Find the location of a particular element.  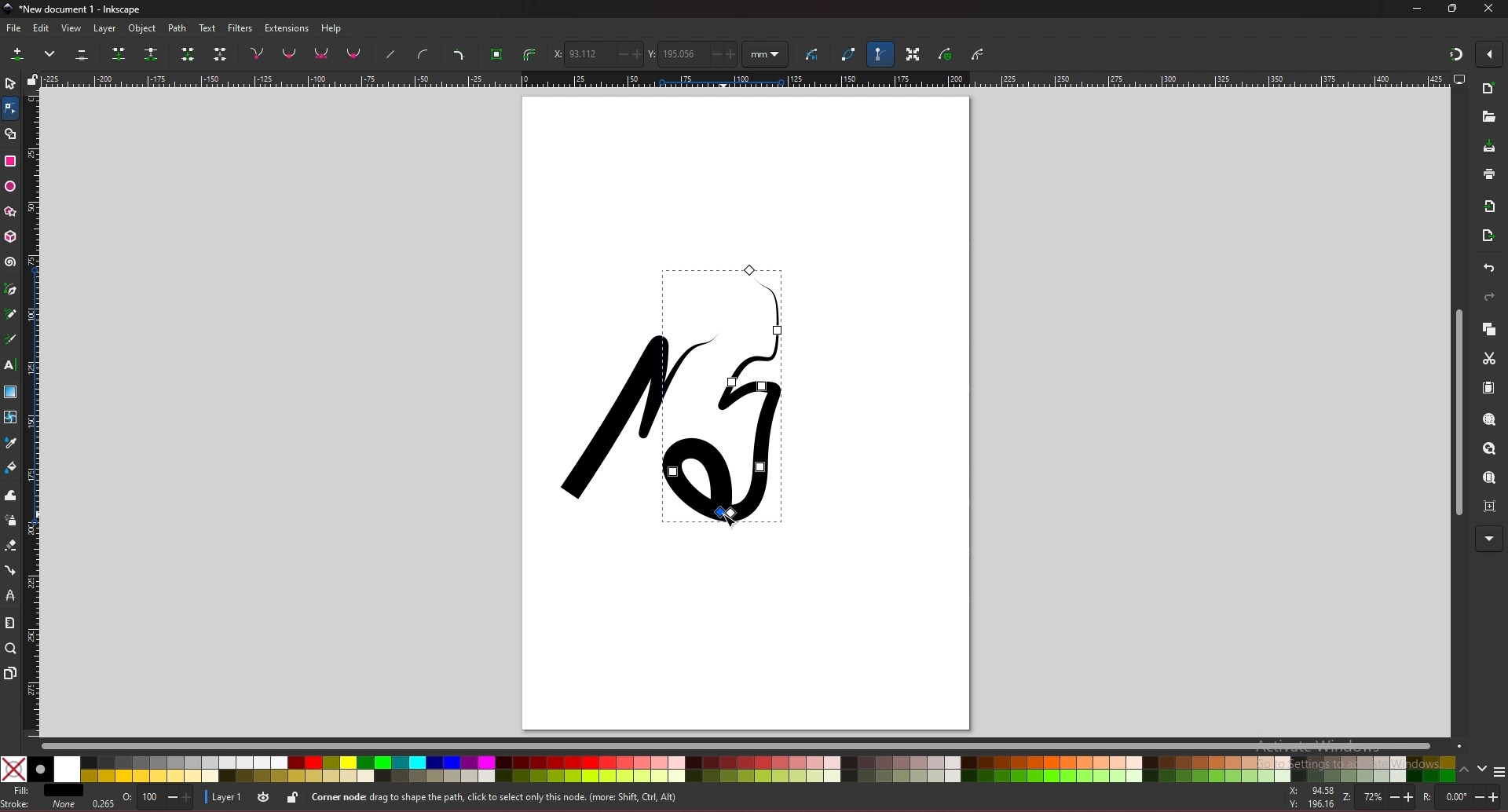

rotate is located at coordinates (1461, 796).